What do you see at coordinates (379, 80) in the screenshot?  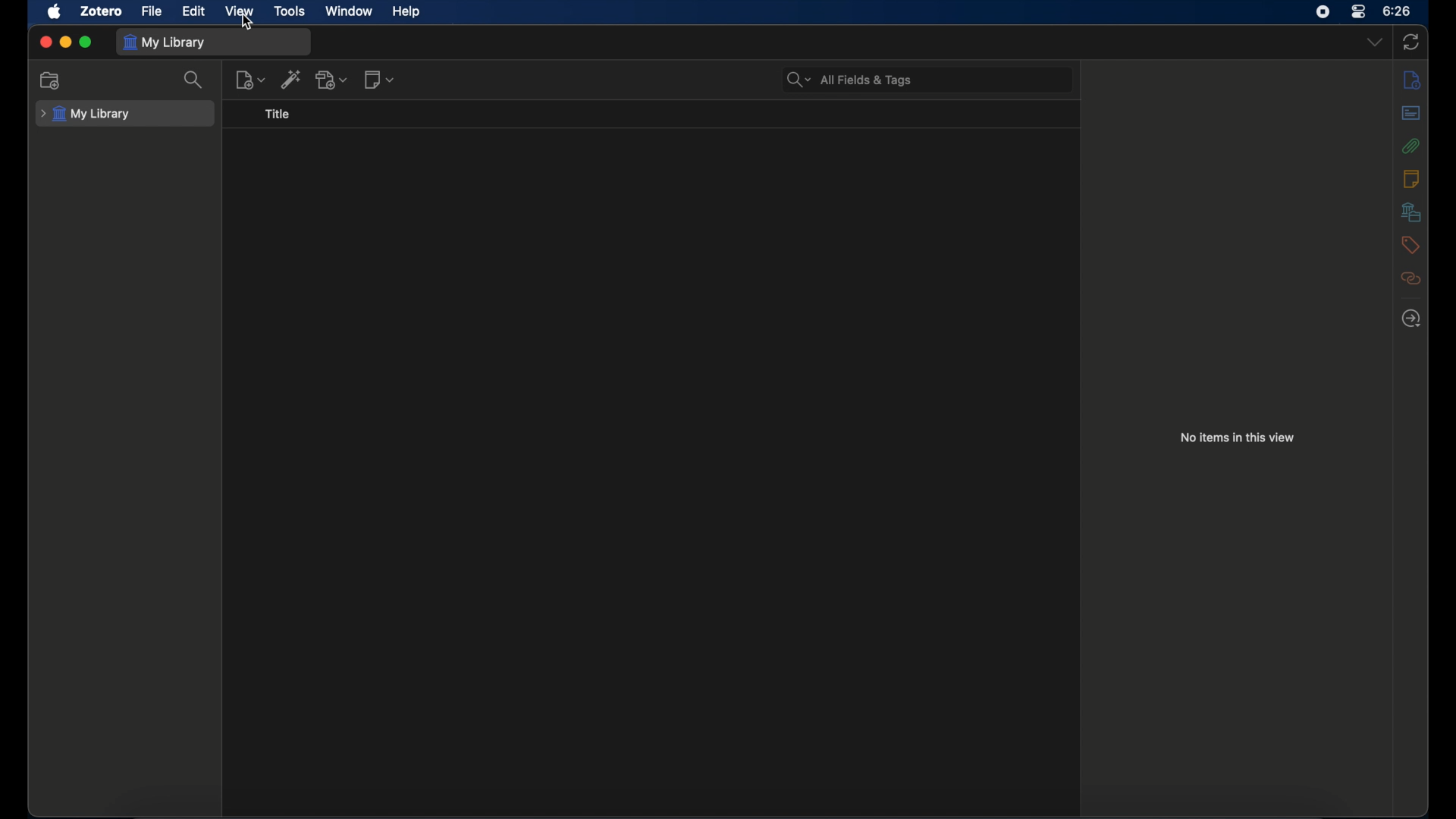 I see `new note` at bounding box center [379, 80].